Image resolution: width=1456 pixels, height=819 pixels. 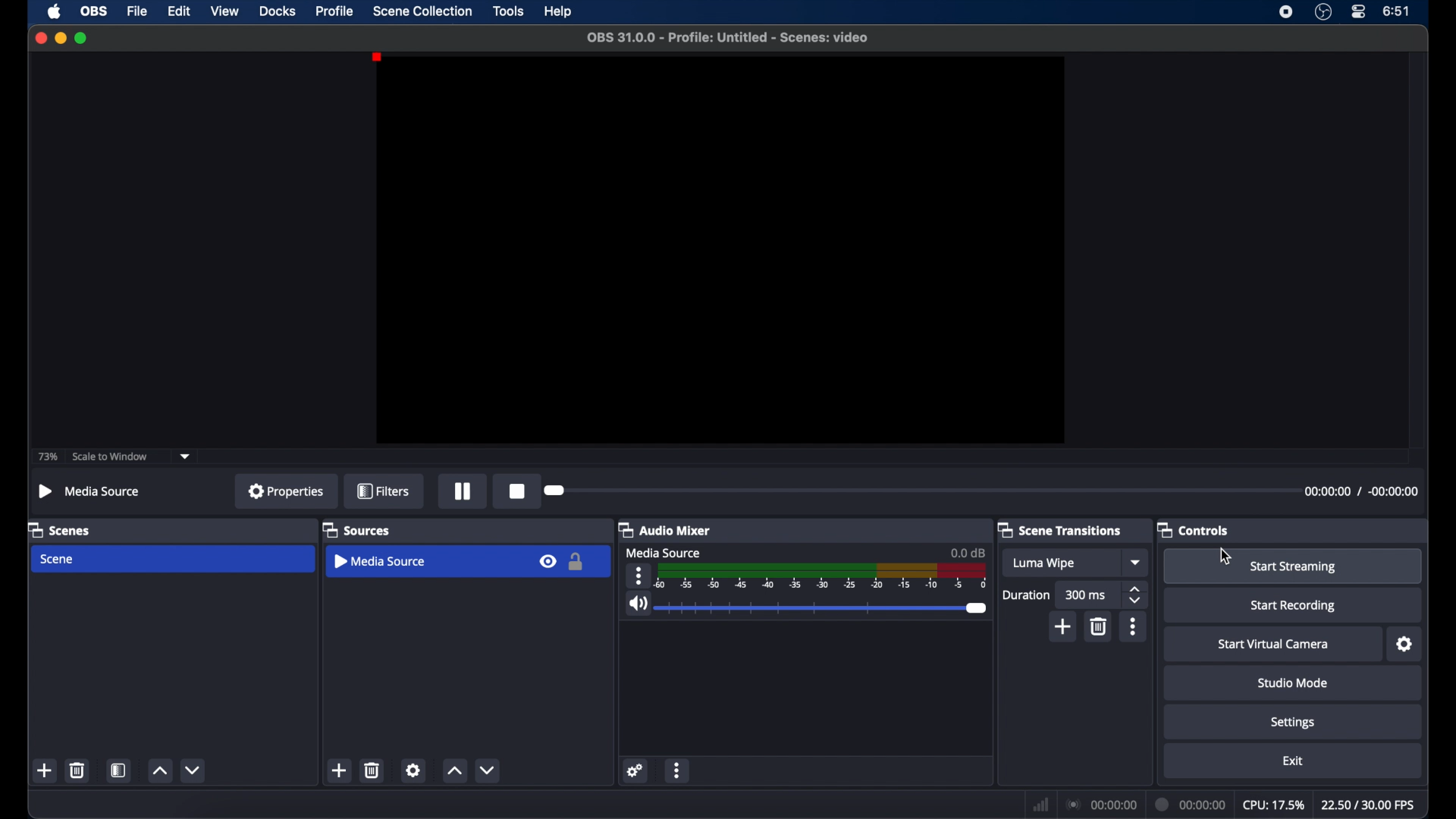 What do you see at coordinates (1134, 626) in the screenshot?
I see `more options` at bounding box center [1134, 626].